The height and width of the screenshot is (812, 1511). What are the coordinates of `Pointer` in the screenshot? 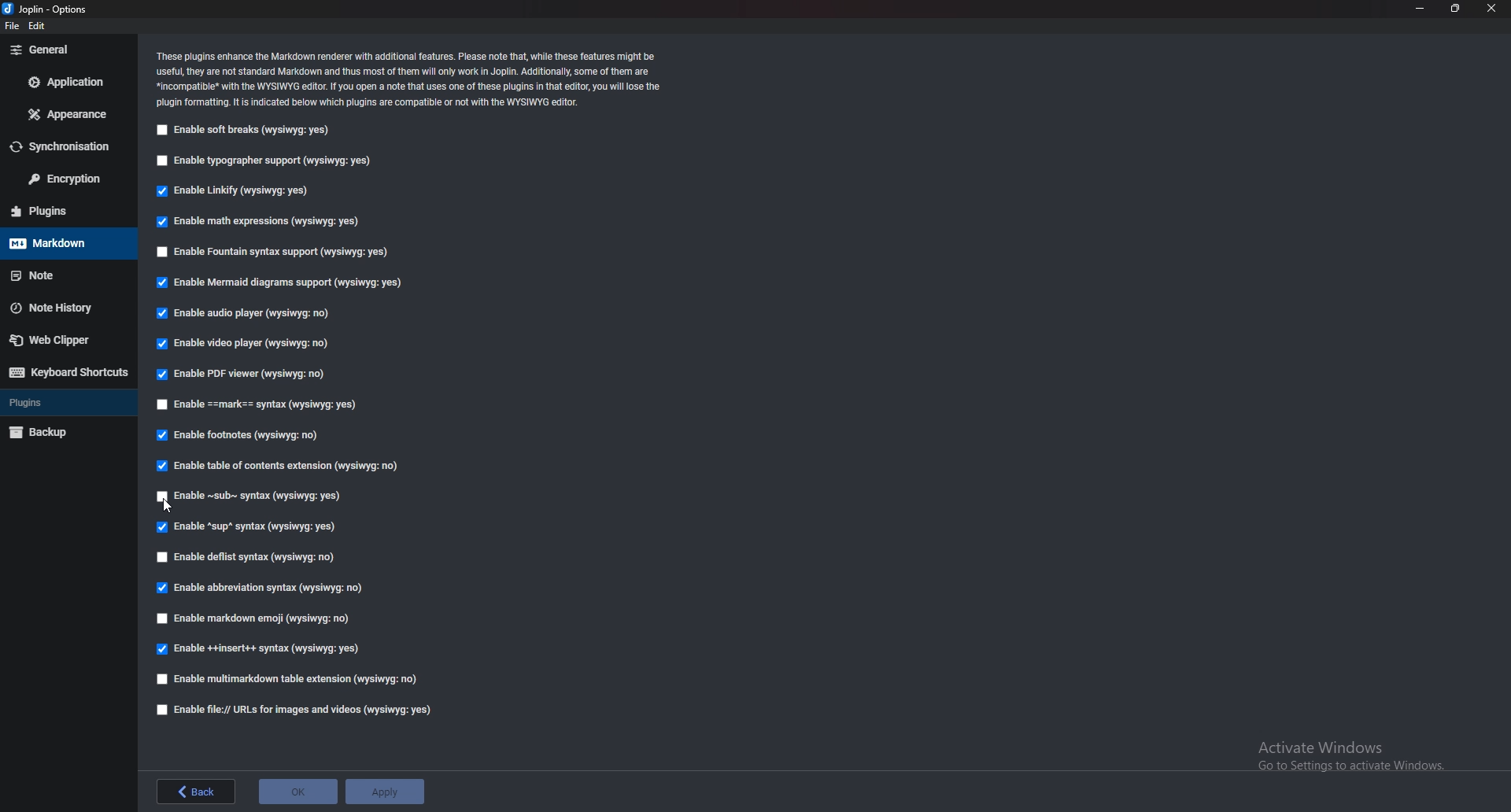 It's located at (168, 507).